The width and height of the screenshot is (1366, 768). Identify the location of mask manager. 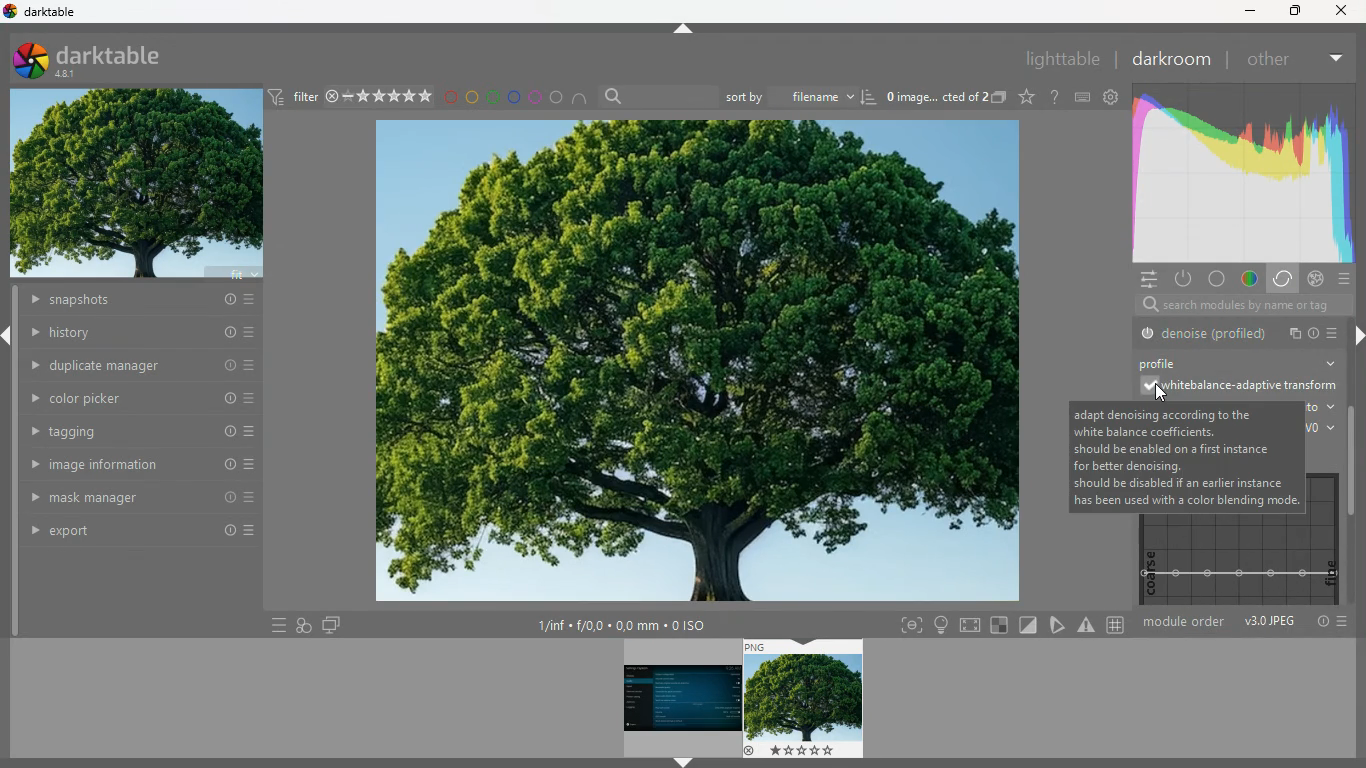
(132, 494).